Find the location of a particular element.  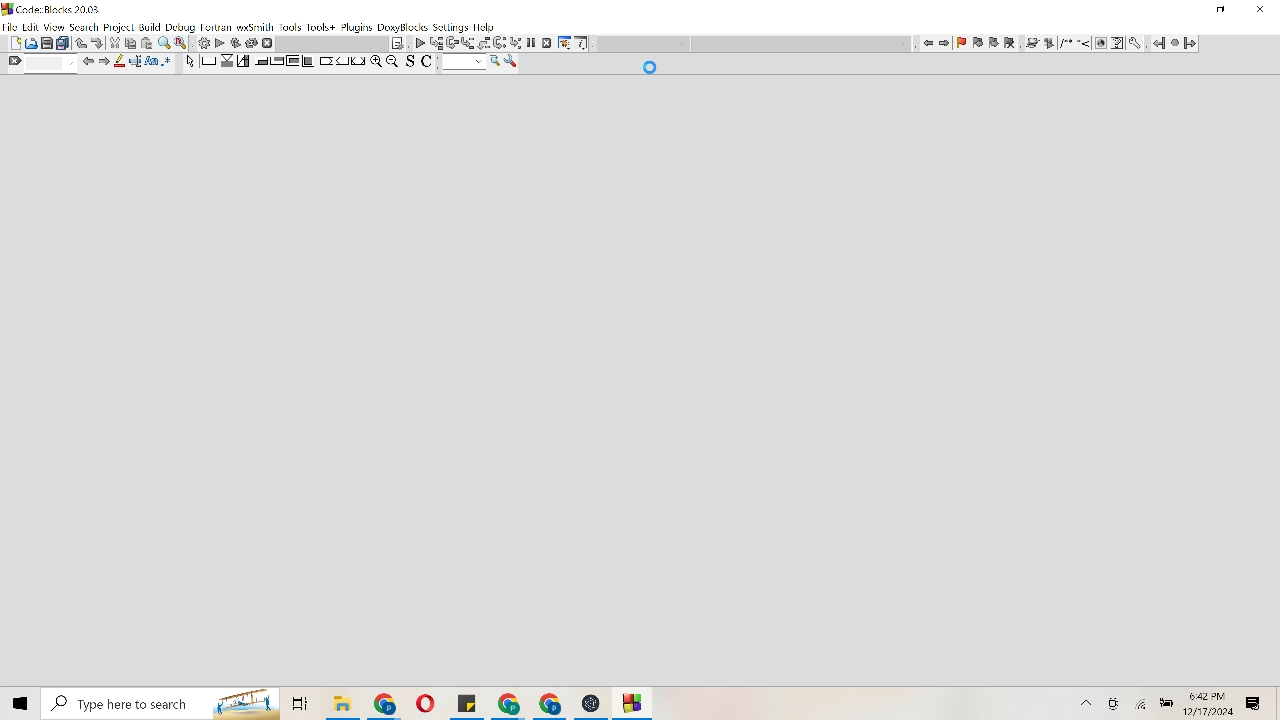

Tools is located at coordinates (512, 62).